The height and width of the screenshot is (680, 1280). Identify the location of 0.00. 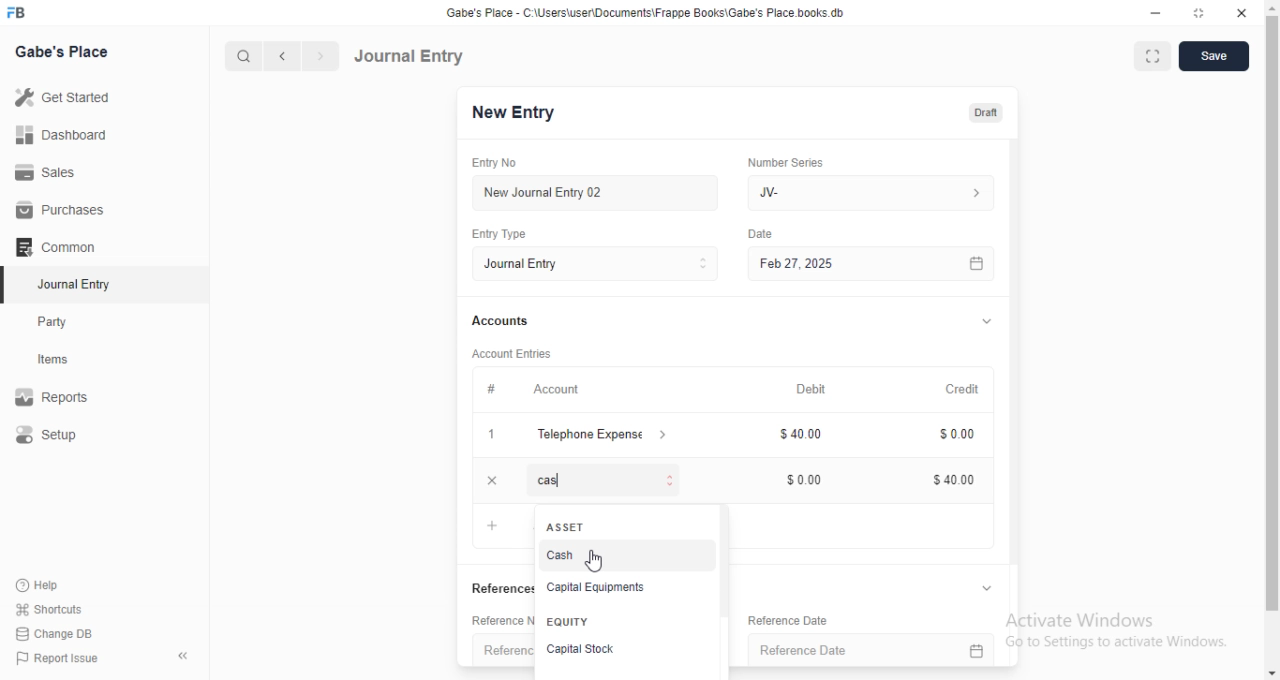
(807, 480).